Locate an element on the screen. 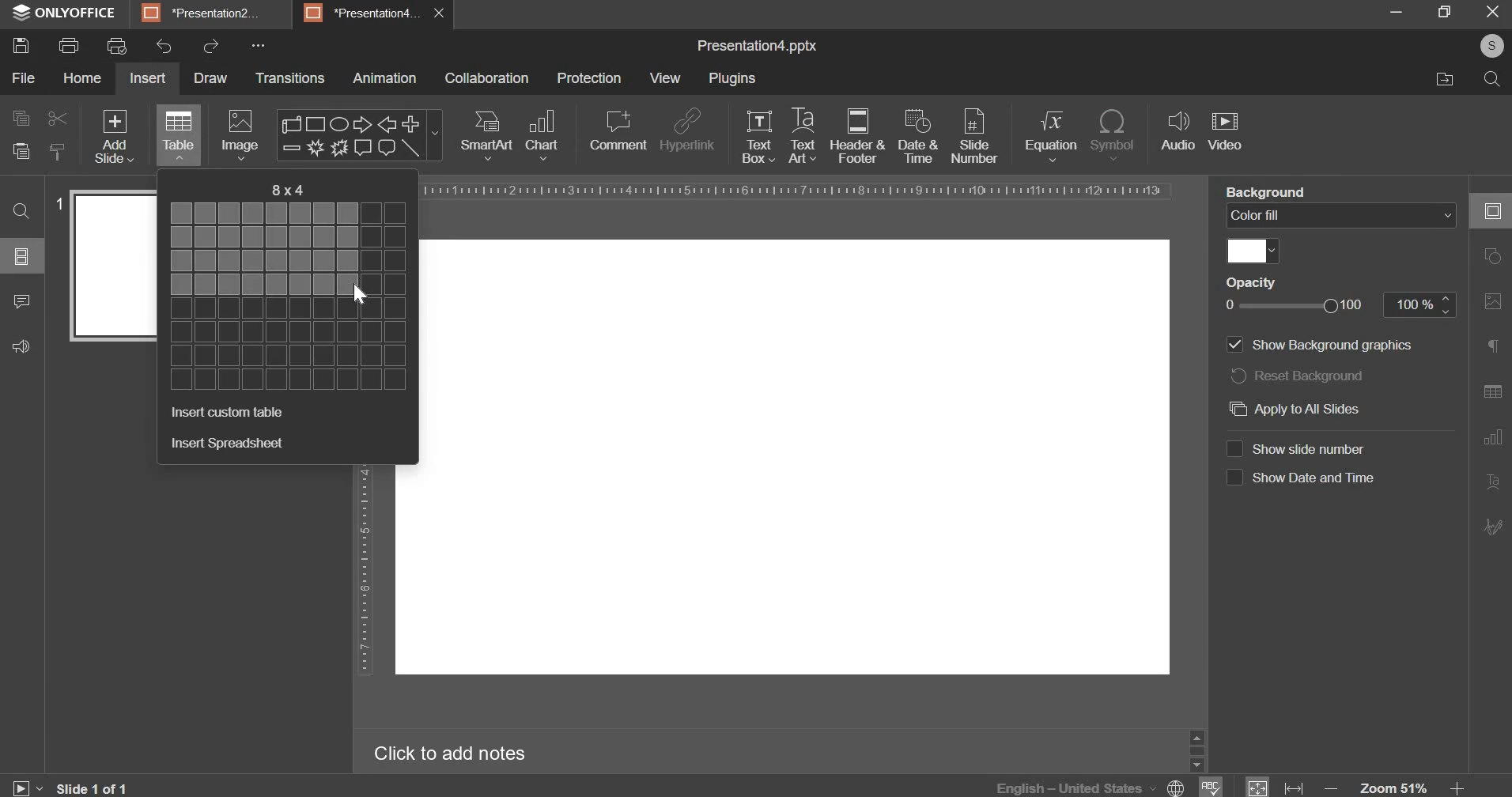 Image resolution: width=1512 pixels, height=797 pixels. opacity slider is located at coordinates (1292, 306).